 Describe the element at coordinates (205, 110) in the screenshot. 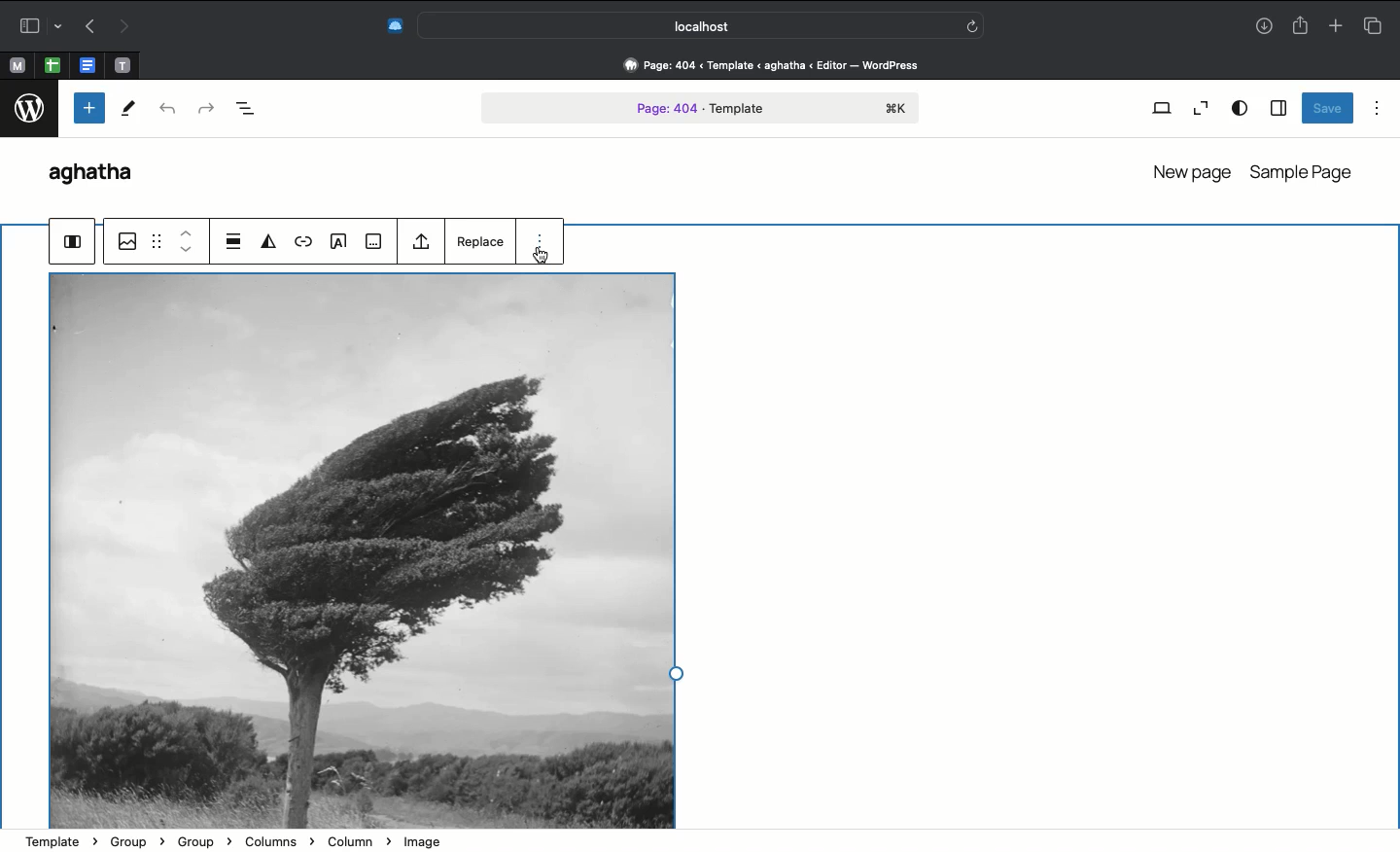

I see `Redo` at that location.